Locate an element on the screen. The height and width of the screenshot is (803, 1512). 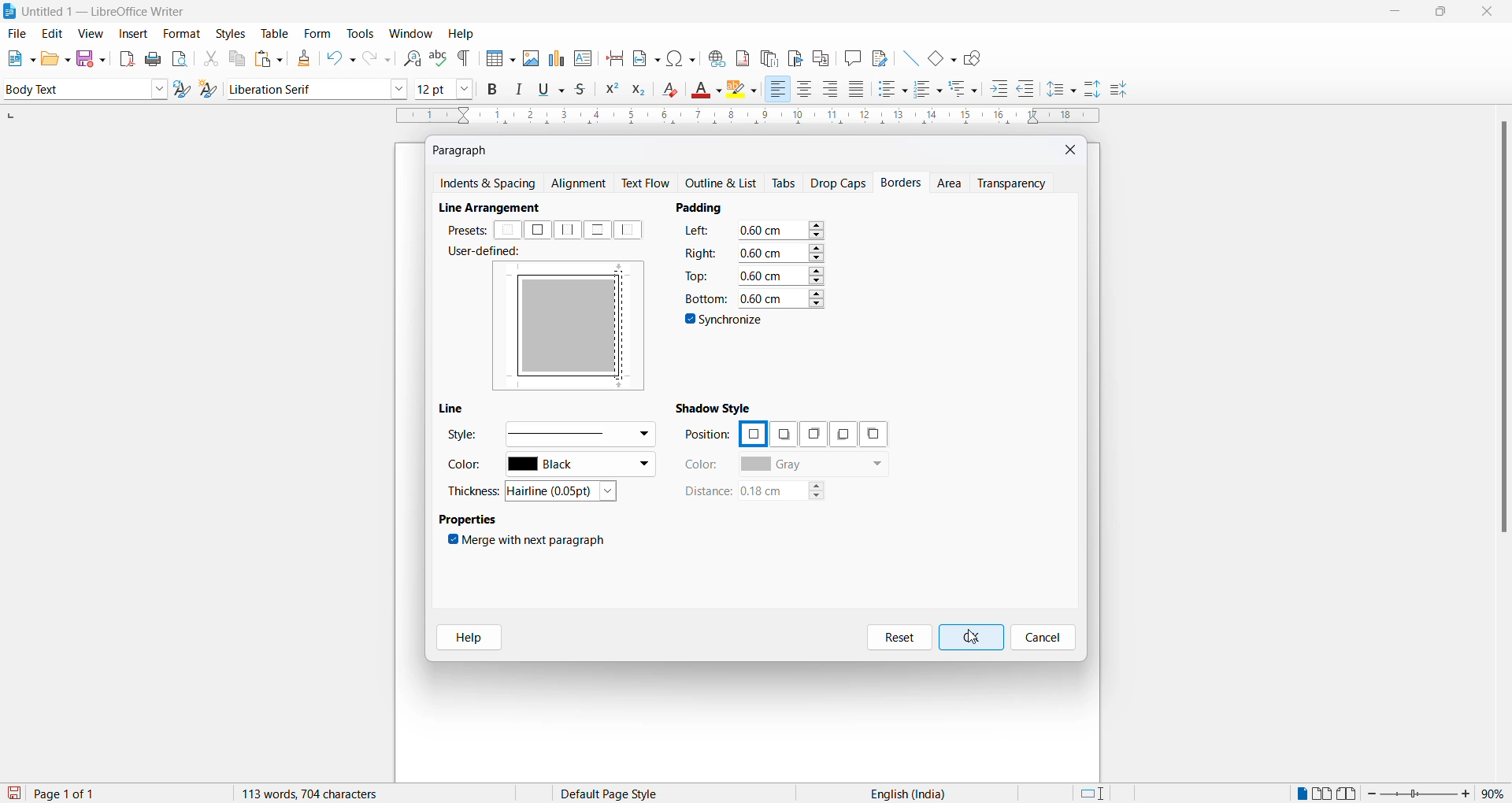
value is located at coordinates (780, 297).